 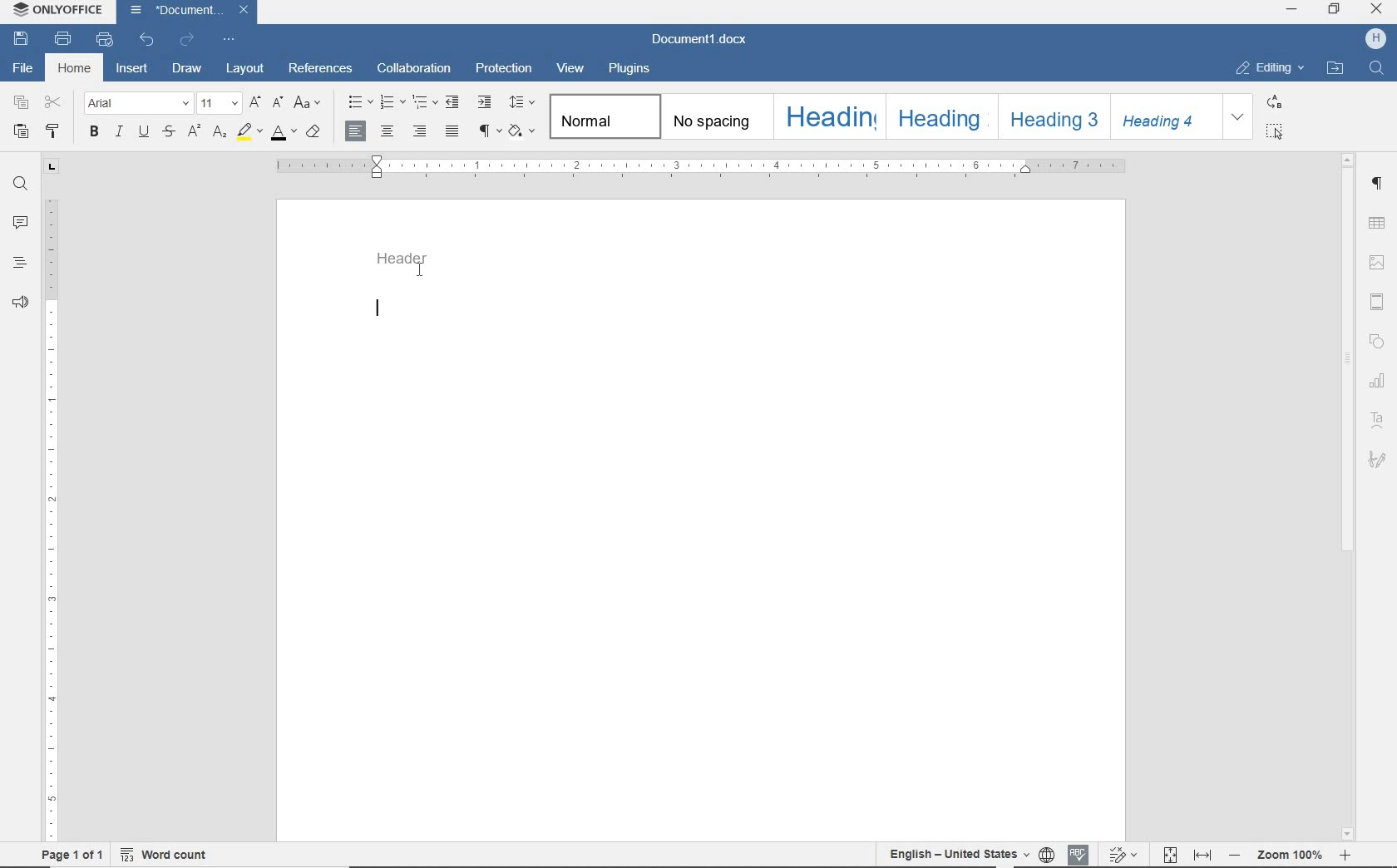 What do you see at coordinates (1378, 262) in the screenshot?
I see `IMAGE` at bounding box center [1378, 262].